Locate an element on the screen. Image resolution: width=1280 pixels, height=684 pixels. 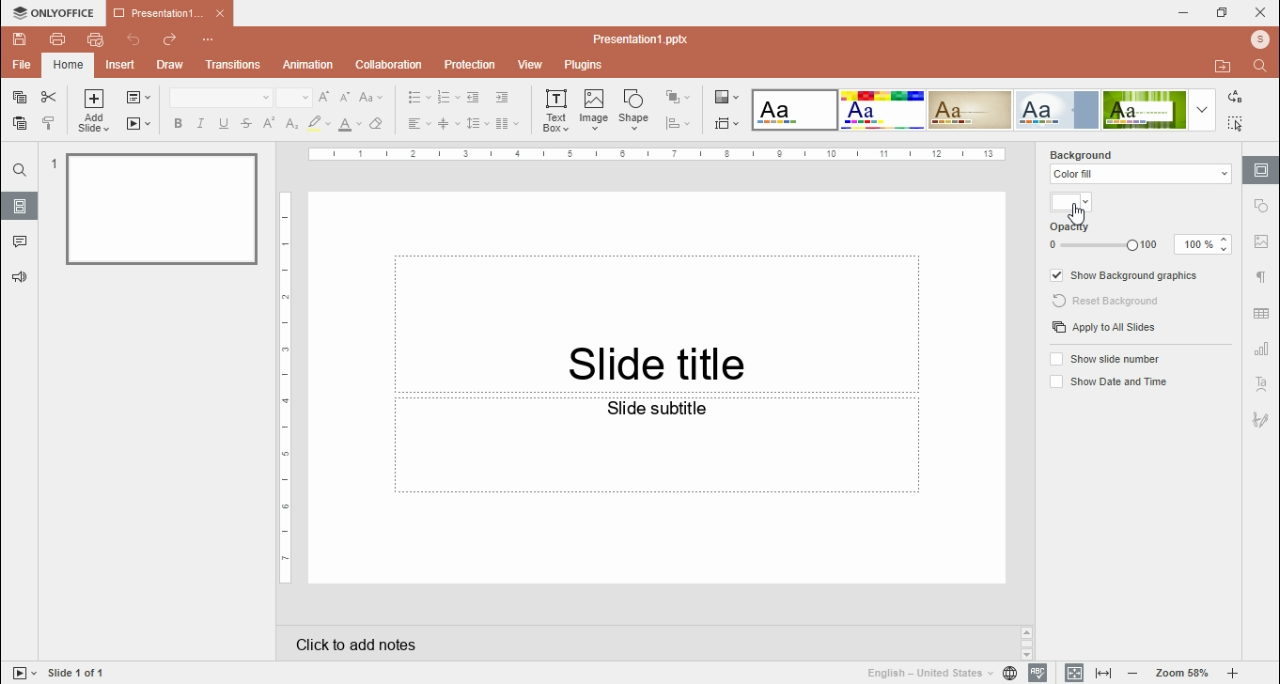
font size is located at coordinates (294, 97).